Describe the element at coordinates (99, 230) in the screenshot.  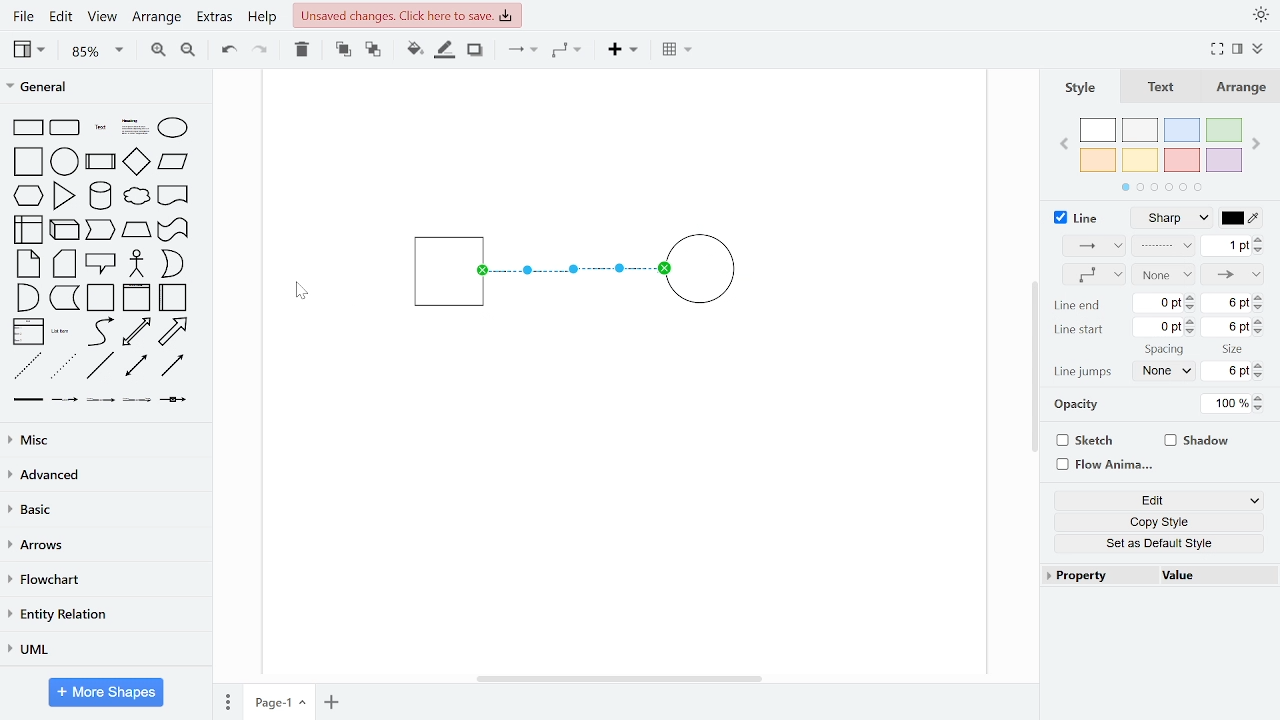
I see `step` at that location.